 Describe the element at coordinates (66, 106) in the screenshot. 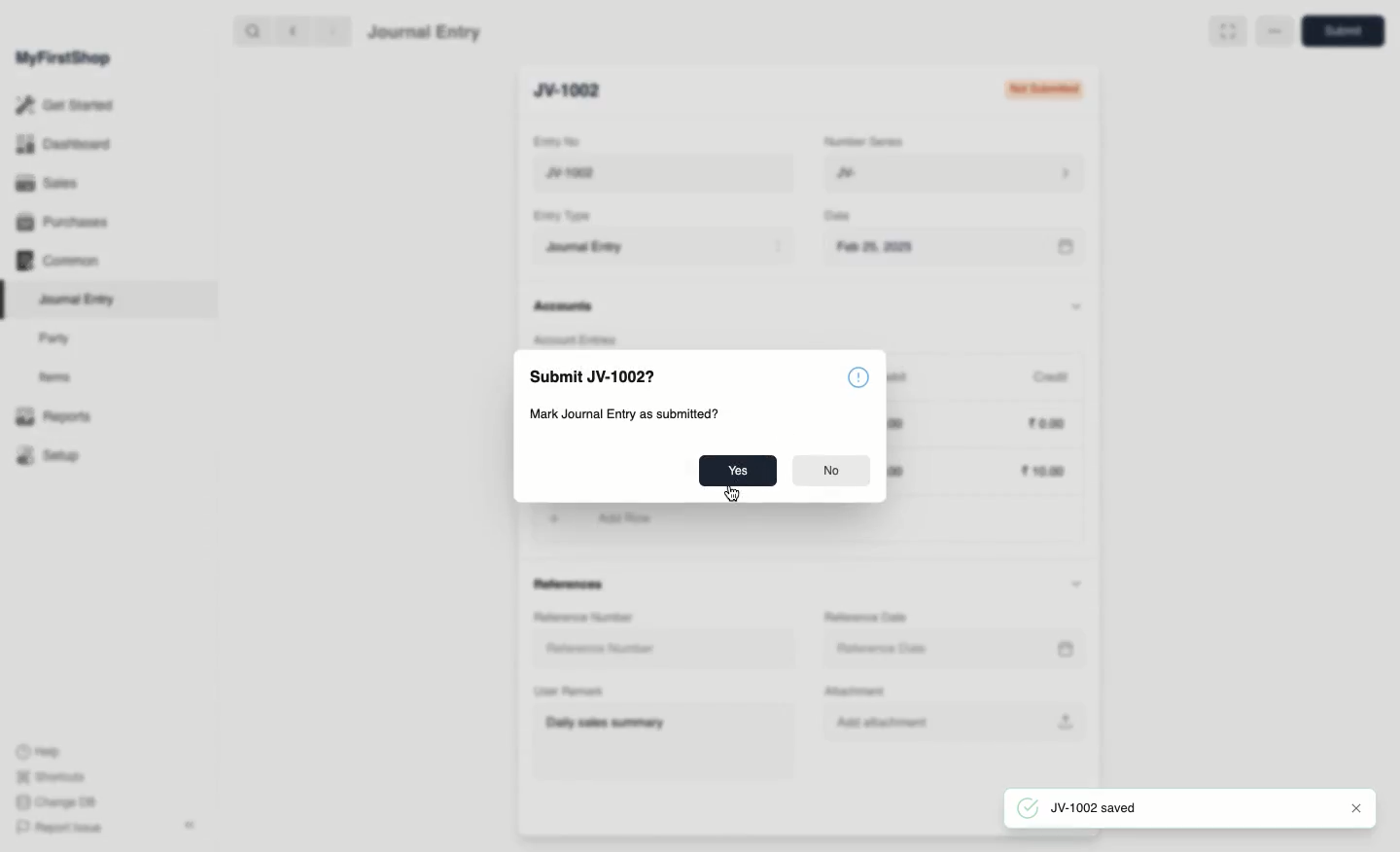

I see `Get Started` at that location.